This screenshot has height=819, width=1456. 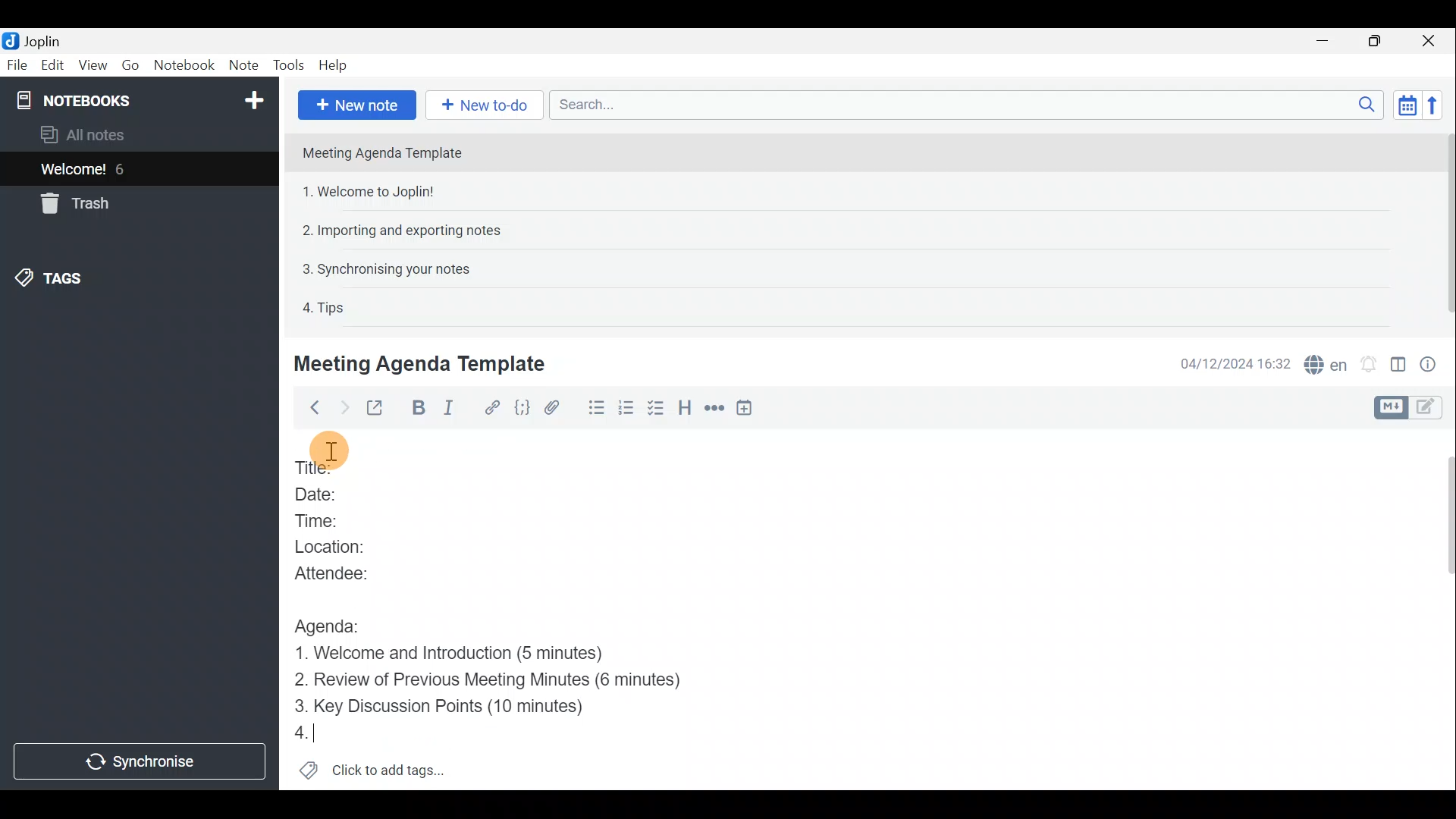 I want to click on Attach file, so click(x=559, y=408).